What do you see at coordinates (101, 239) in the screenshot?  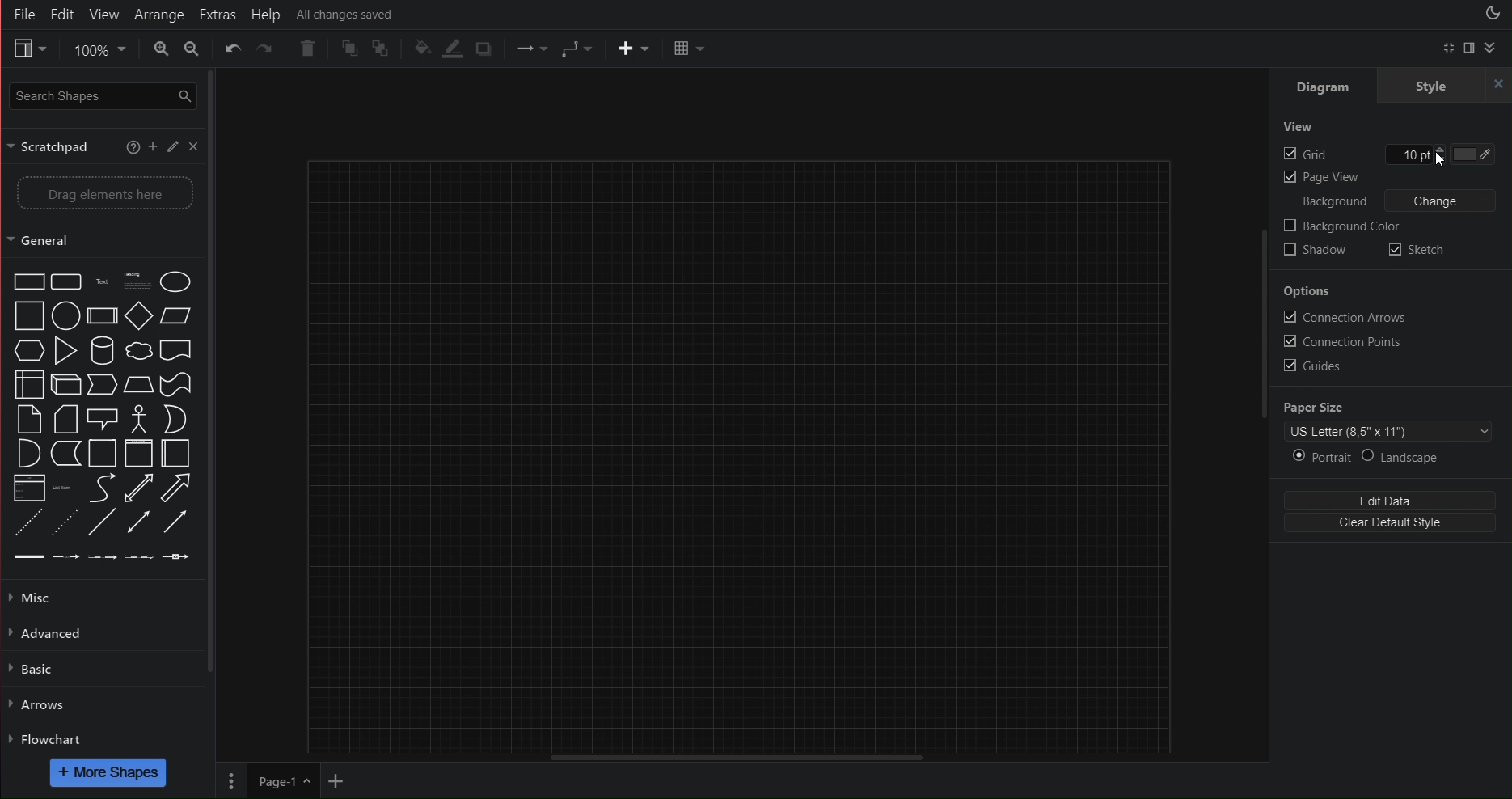 I see `General` at bounding box center [101, 239].